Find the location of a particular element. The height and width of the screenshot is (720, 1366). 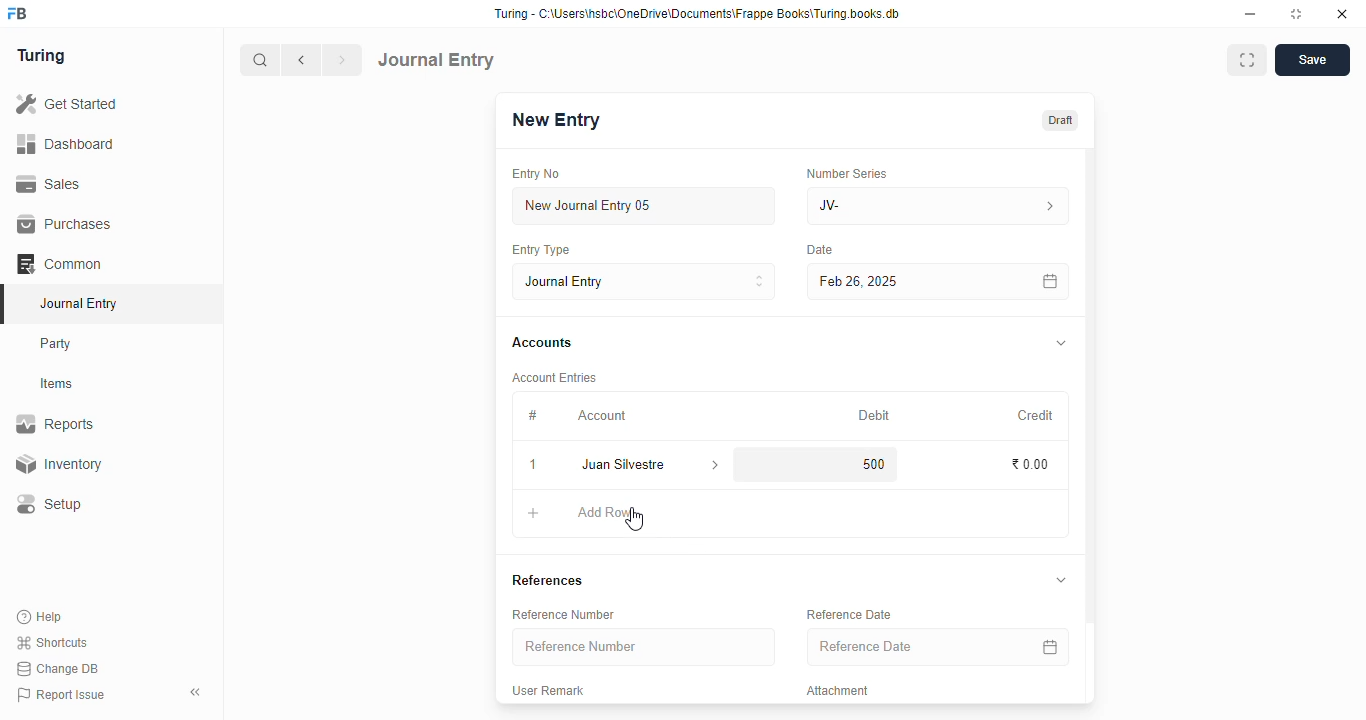

new entry is located at coordinates (555, 120).